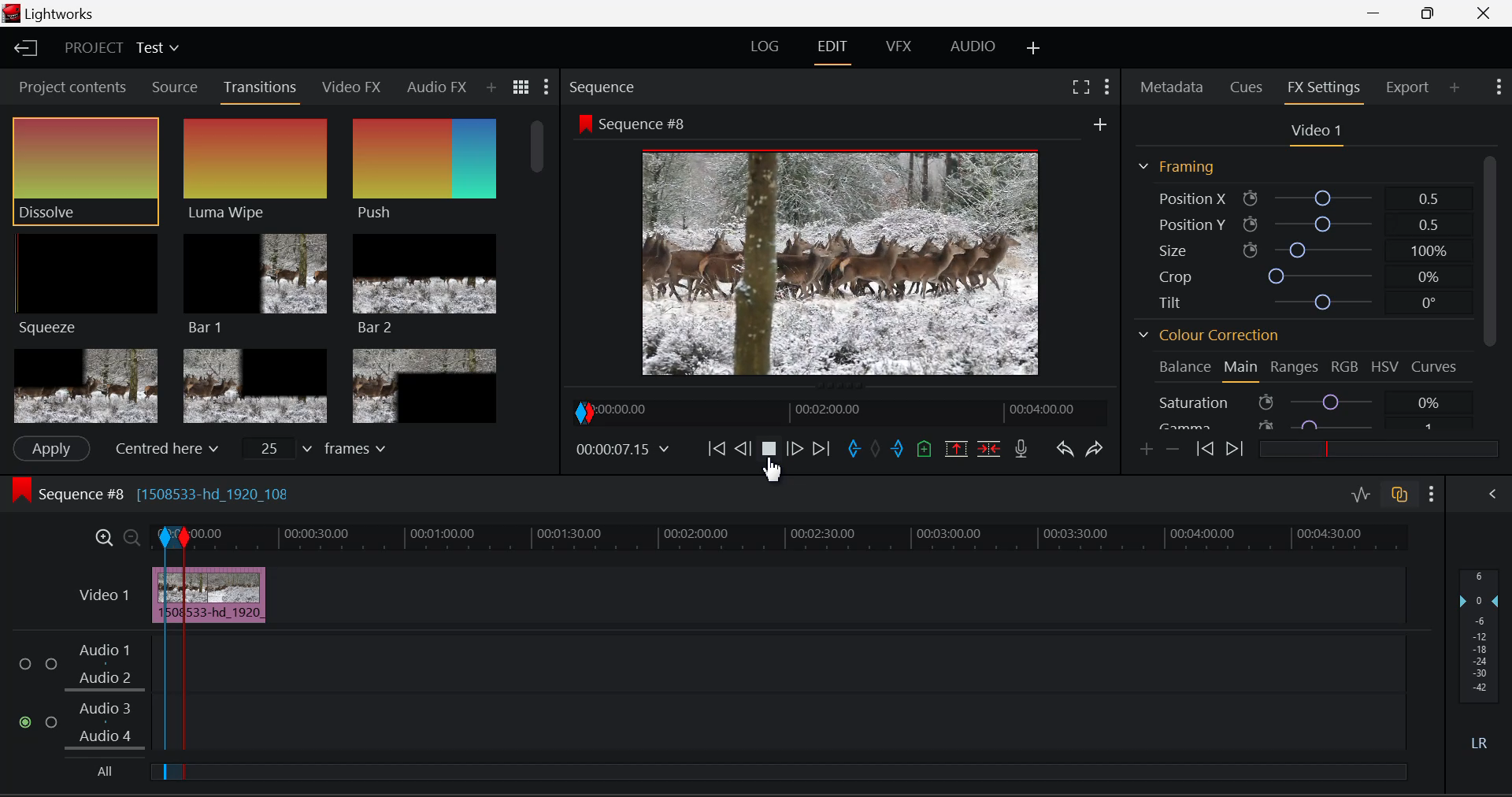 Image resolution: width=1512 pixels, height=797 pixels. Describe the element at coordinates (958, 448) in the screenshot. I see `Remove Marked Section` at that location.